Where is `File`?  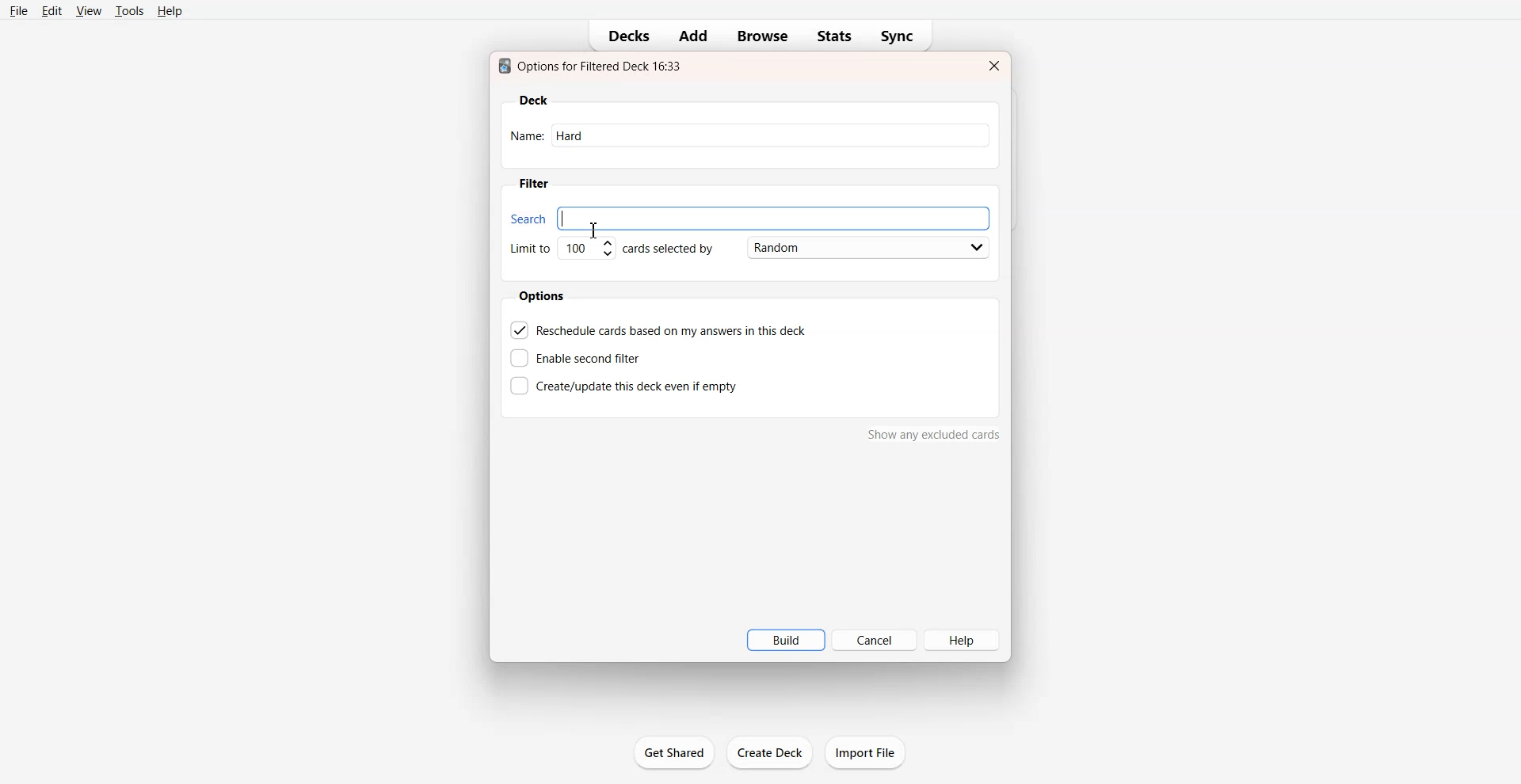
File is located at coordinates (19, 10).